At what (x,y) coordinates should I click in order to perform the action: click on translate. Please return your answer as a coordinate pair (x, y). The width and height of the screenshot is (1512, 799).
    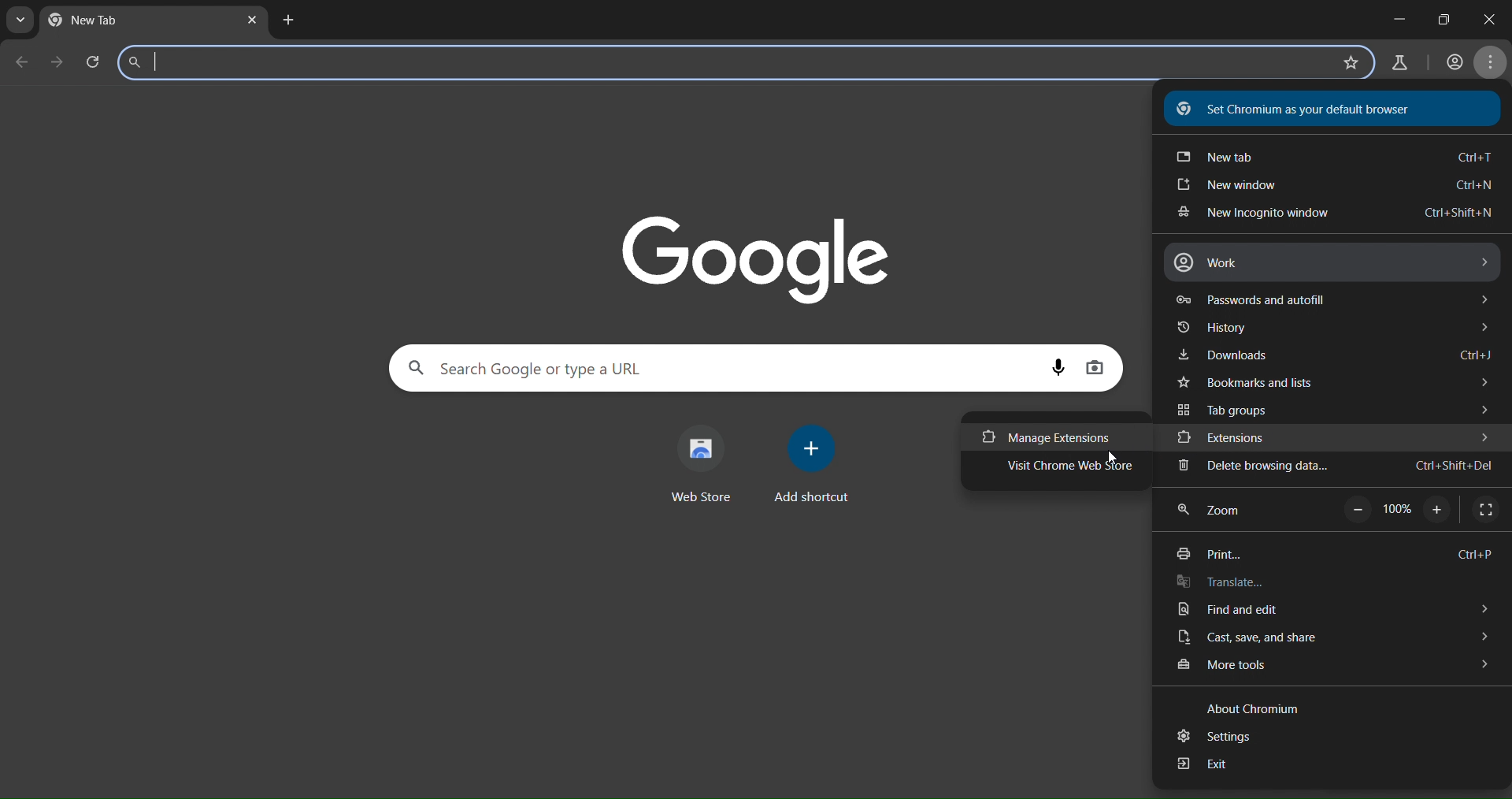
    Looking at the image, I should click on (1223, 582).